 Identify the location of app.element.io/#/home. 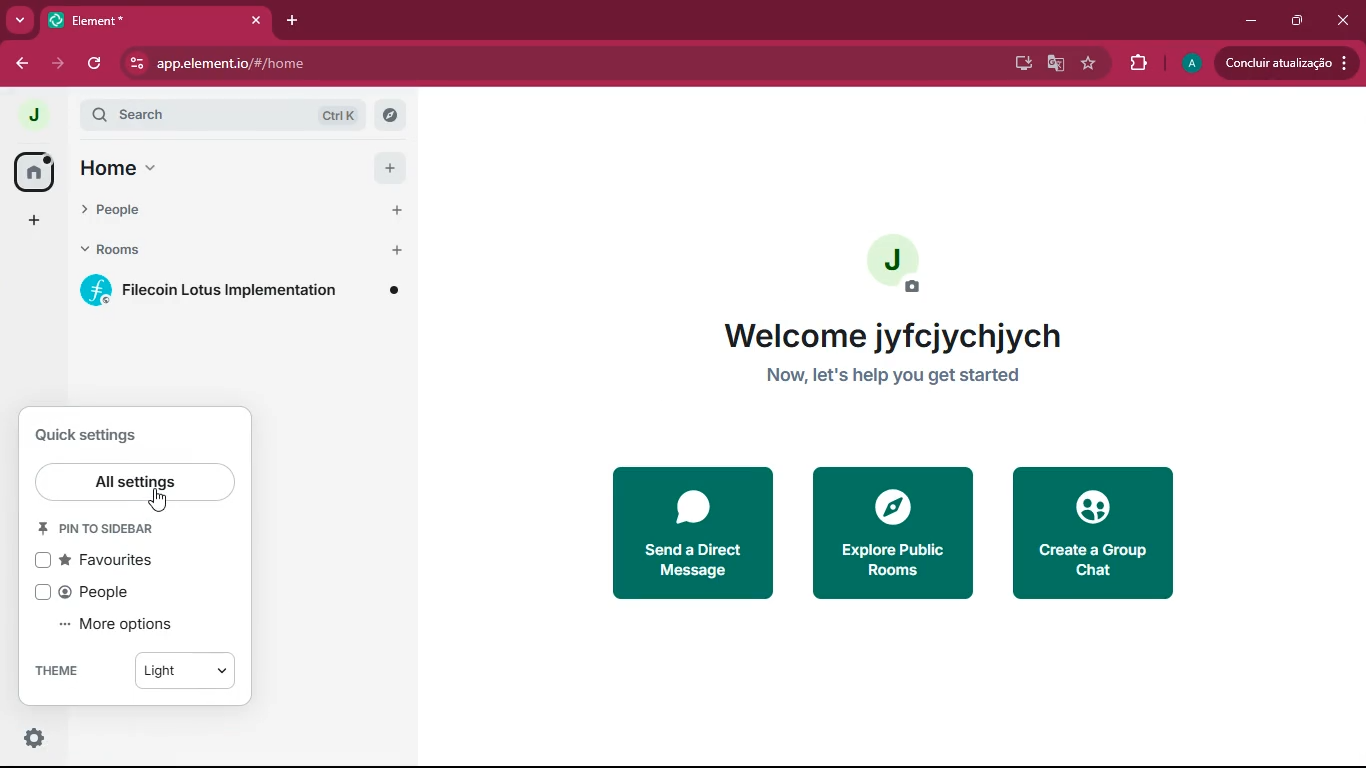
(349, 64).